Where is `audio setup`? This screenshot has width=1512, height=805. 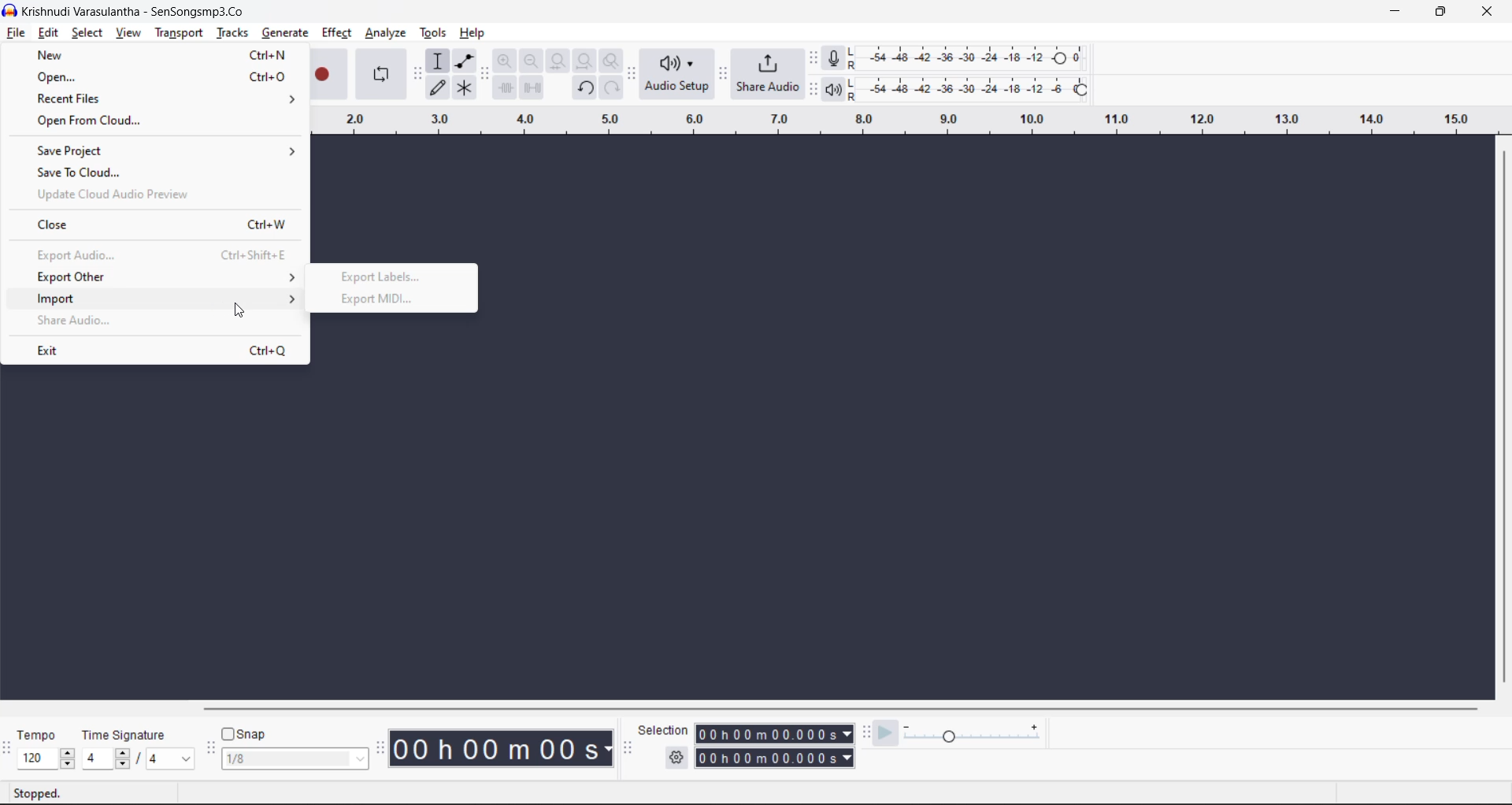
audio setup is located at coordinates (677, 75).